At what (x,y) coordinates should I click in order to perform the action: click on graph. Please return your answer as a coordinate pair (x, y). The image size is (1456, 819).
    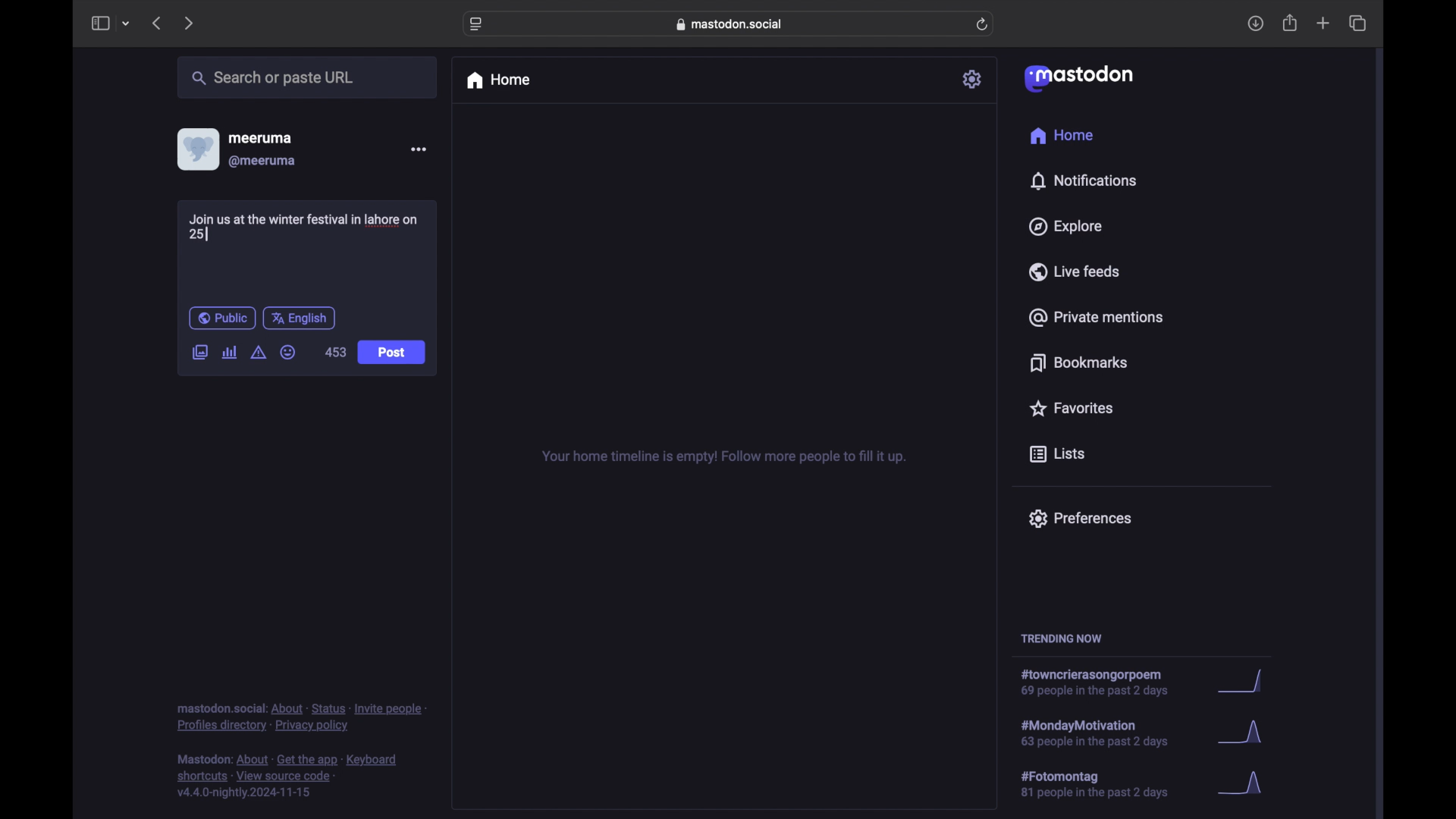
    Looking at the image, I should click on (1244, 736).